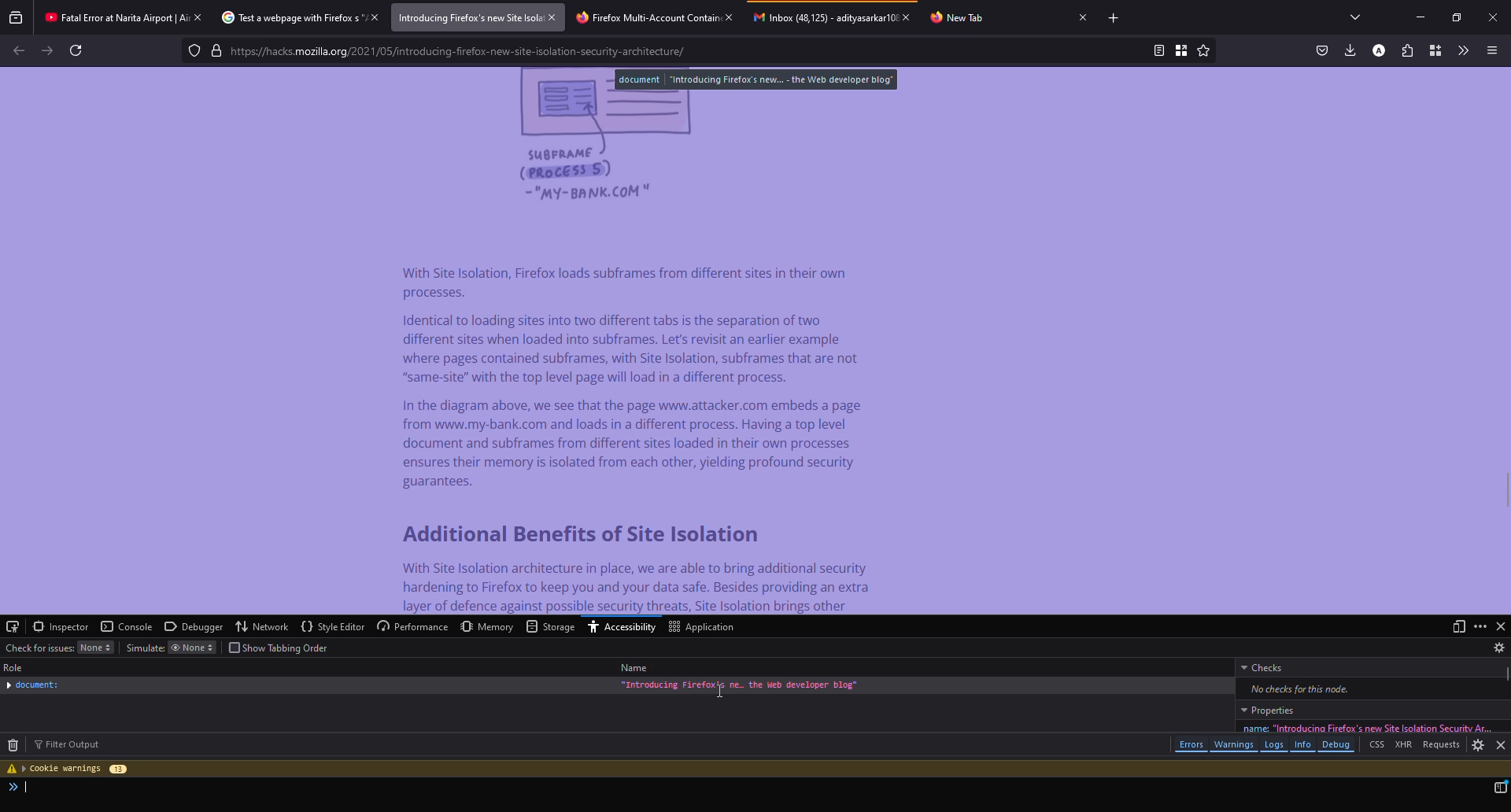 The height and width of the screenshot is (812, 1511). I want to click on cookie warning, so click(68, 769).